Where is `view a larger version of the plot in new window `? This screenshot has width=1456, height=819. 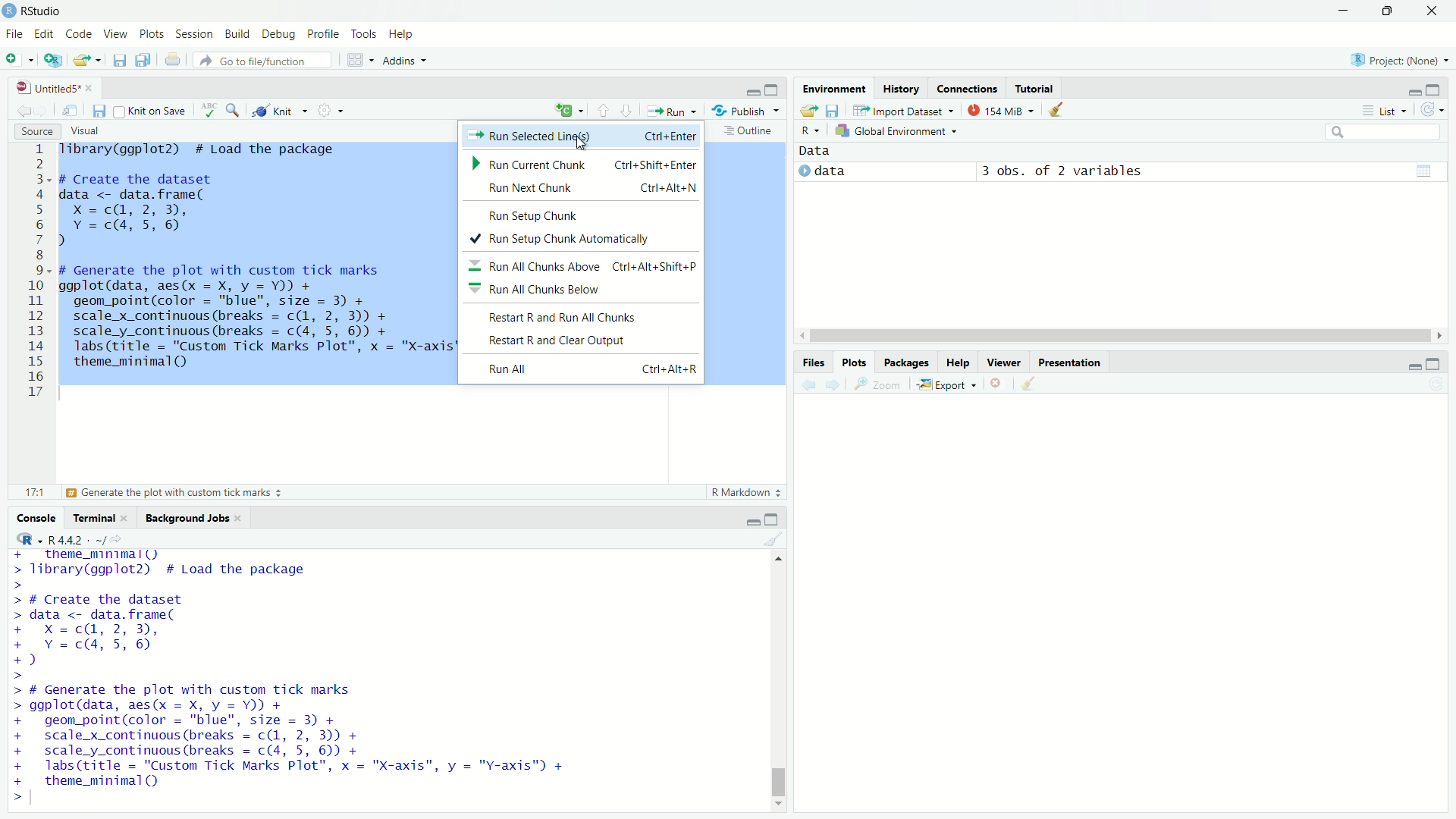
view a larger version of the plot in new window  is located at coordinates (878, 385).